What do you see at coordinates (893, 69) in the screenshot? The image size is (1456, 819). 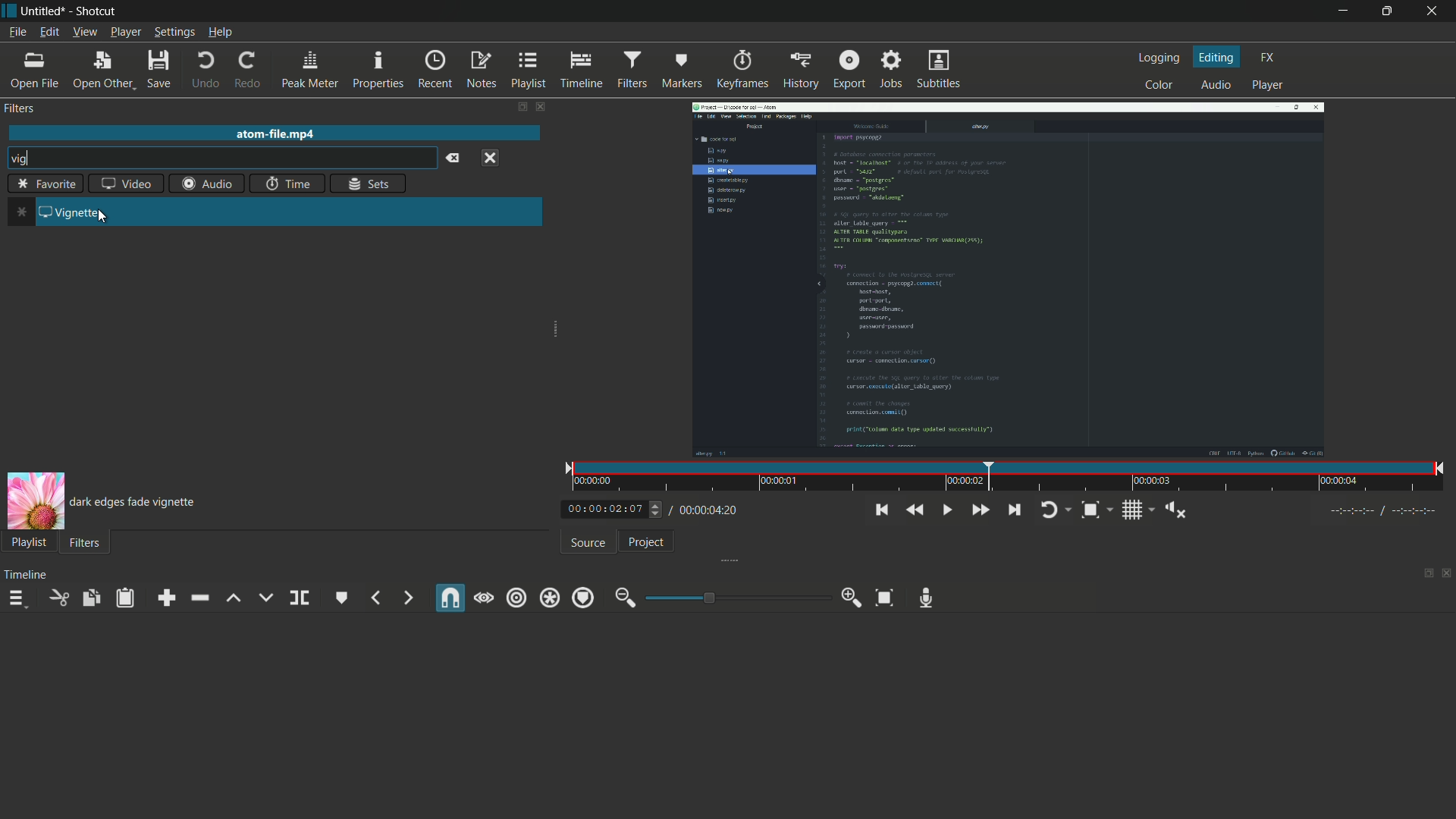 I see `jobs` at bounding box center [893, 69].